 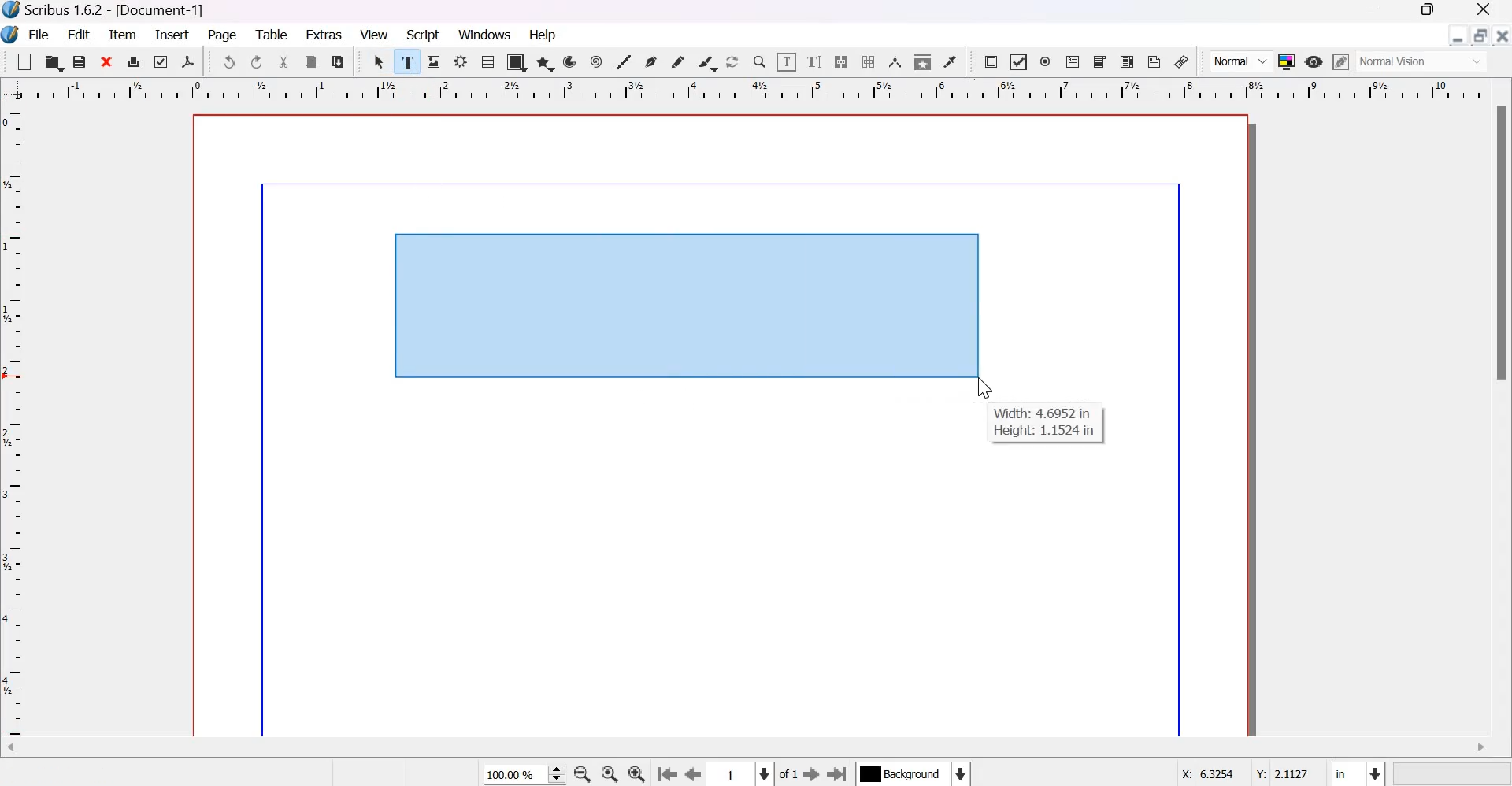 I want to click on edit contents of frame, so click(x=786, y=61).